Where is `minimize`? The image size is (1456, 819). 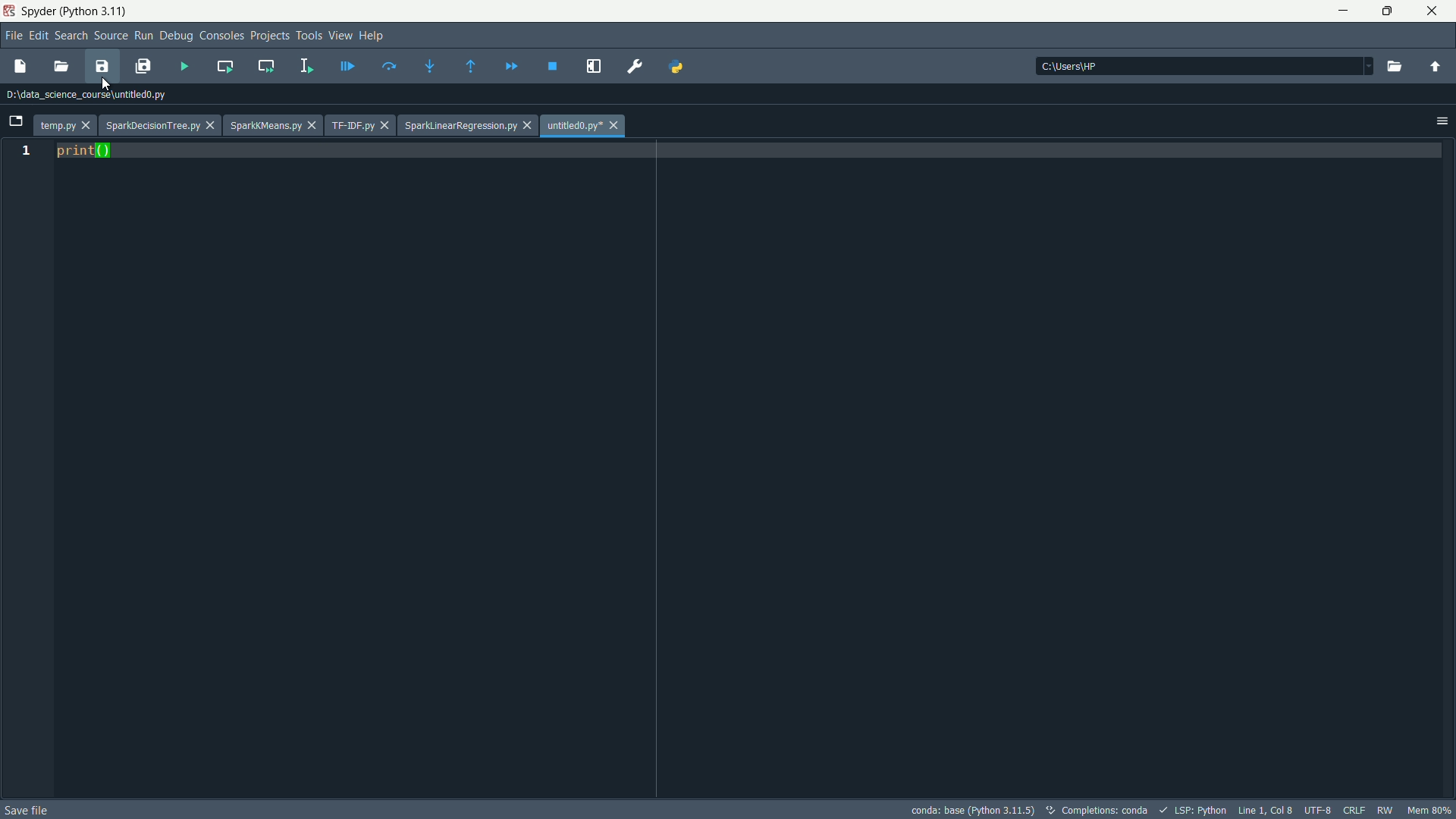 minimize is located at coordinates (1339, 11).